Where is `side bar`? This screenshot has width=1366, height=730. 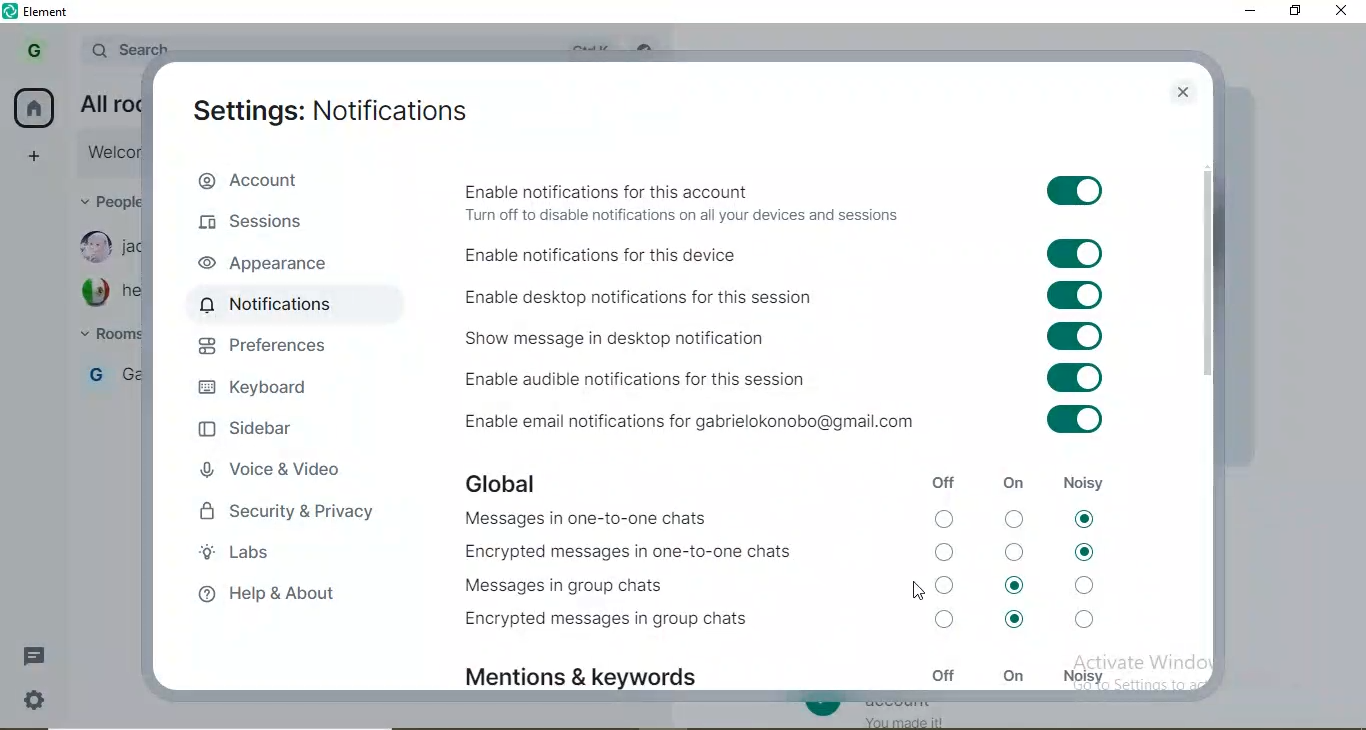
side bar is located at coordinates (1209, 277).